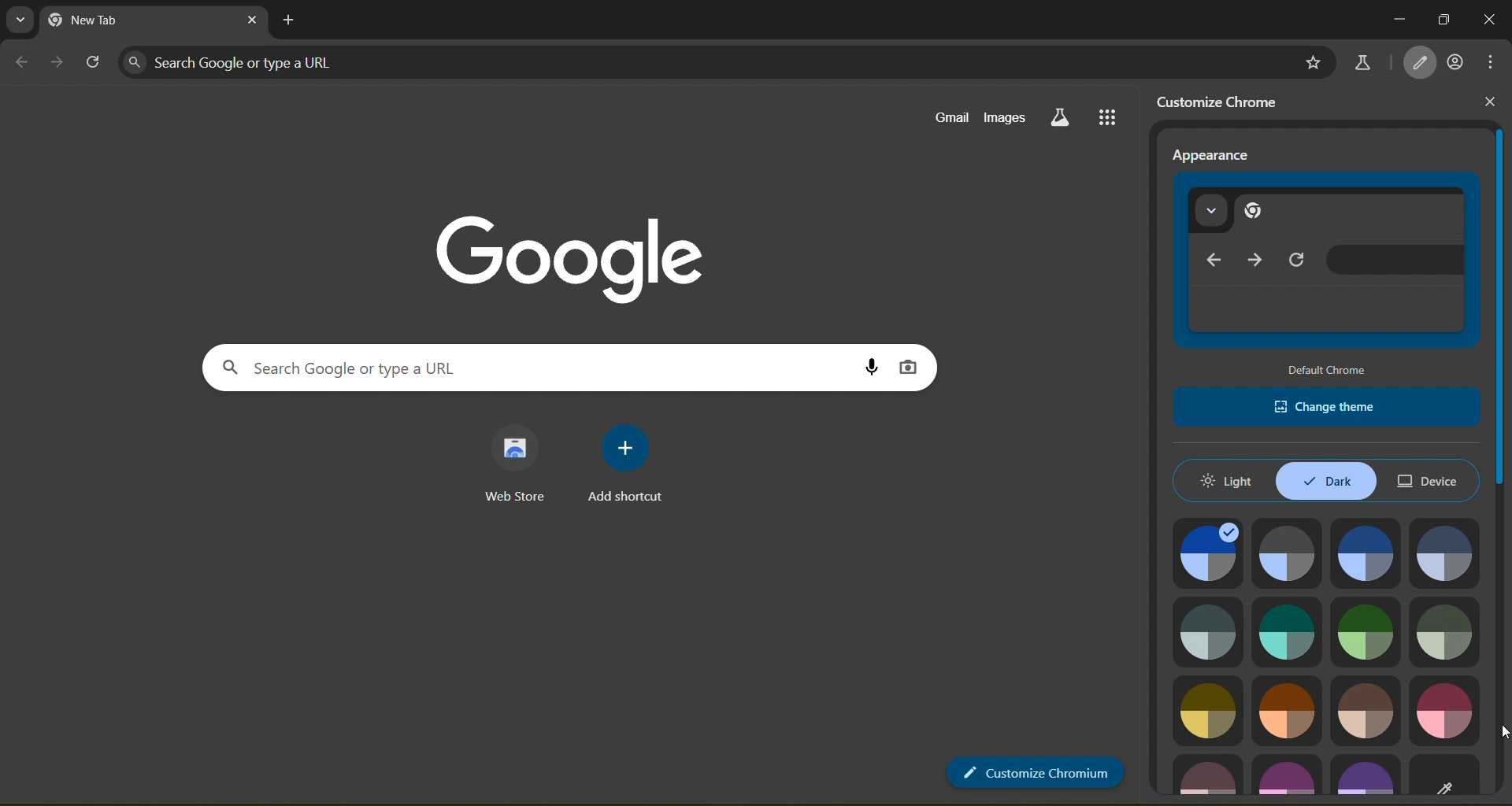 Image resolution: width=1512 pixels, height=806 pixels. What do you see at coordinates (1366, 630) in the screenshot?
I see `image` at bounding box center [1366, 630].